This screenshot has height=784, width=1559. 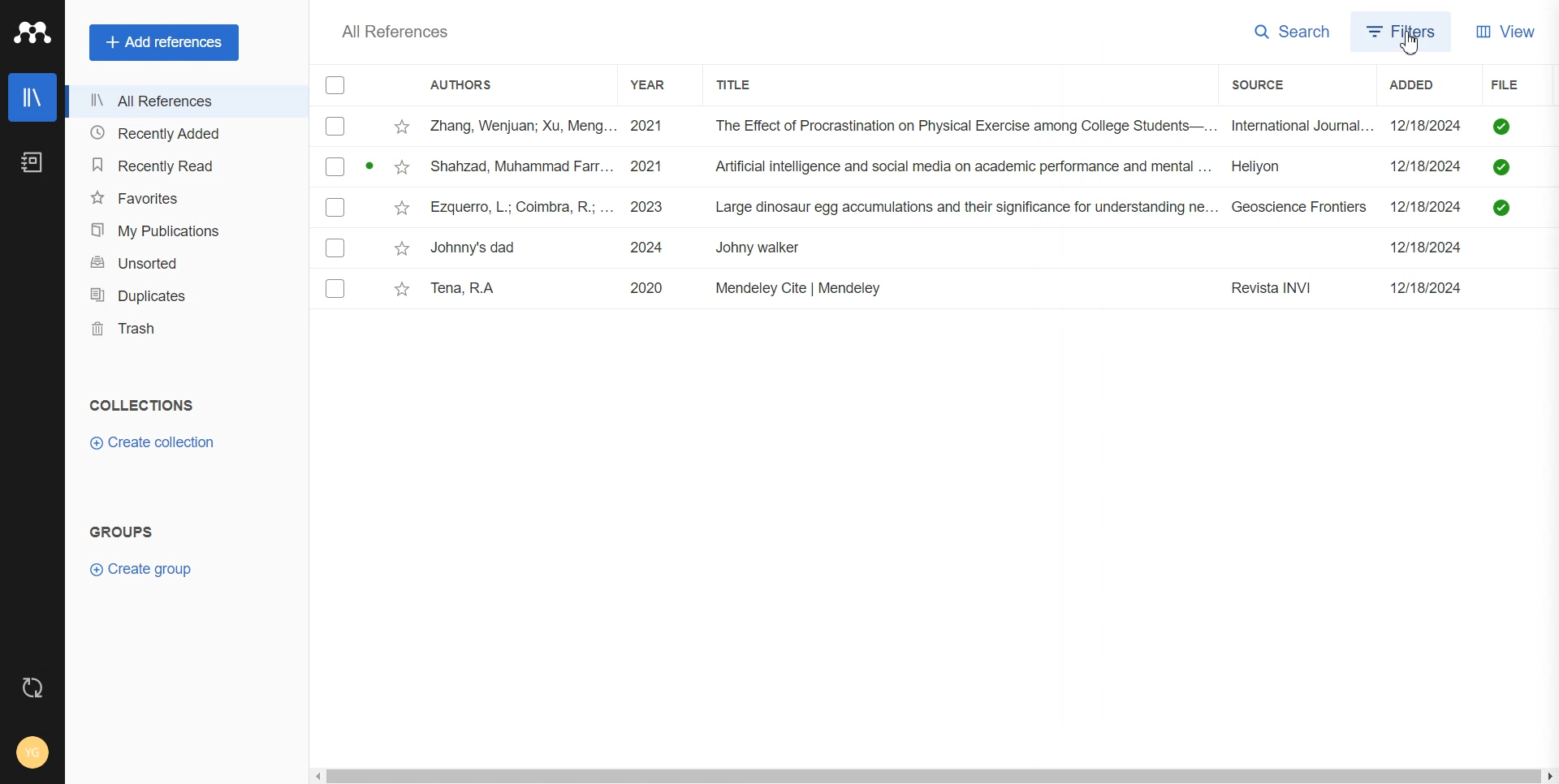 What do you see at coordinates (32, 162) in the screenshot?
I see `Notebook` at bounding box center [32, 162].